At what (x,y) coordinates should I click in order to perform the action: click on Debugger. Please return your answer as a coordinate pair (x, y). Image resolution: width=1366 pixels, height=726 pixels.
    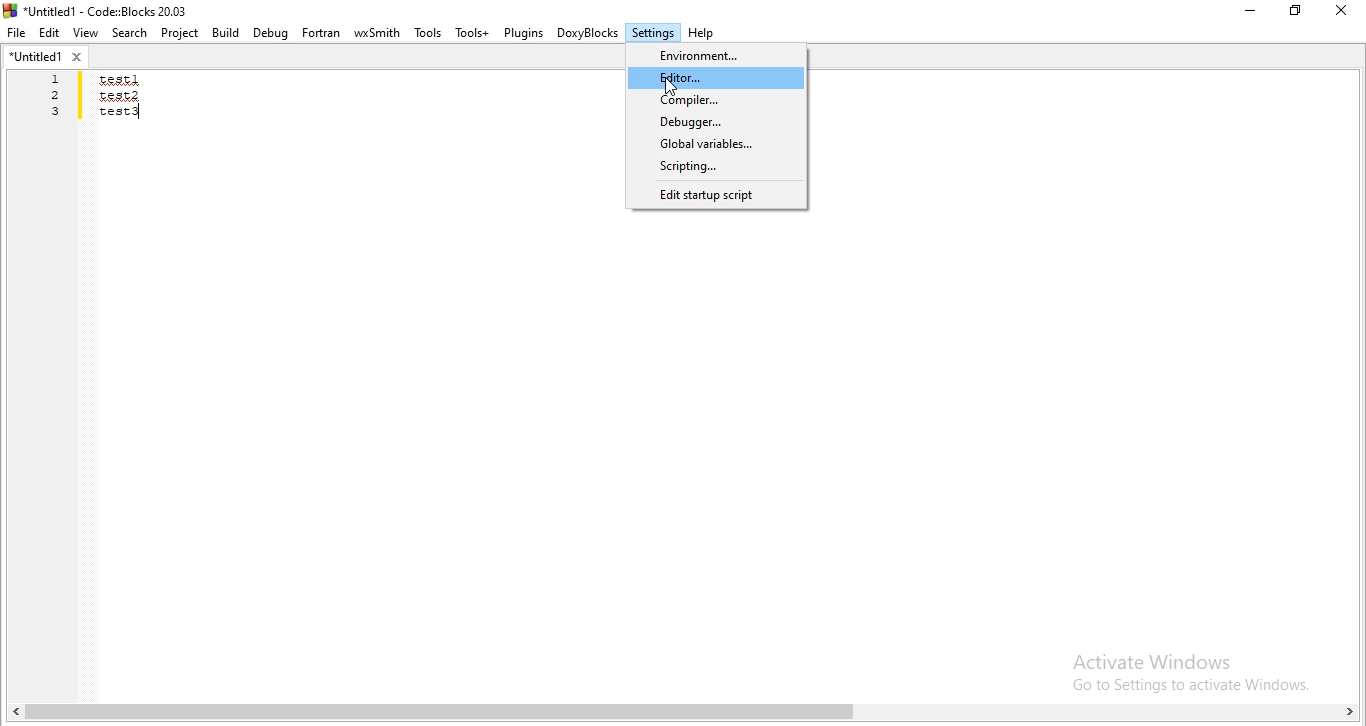
    Looking at the image, I should click on (717, 122).